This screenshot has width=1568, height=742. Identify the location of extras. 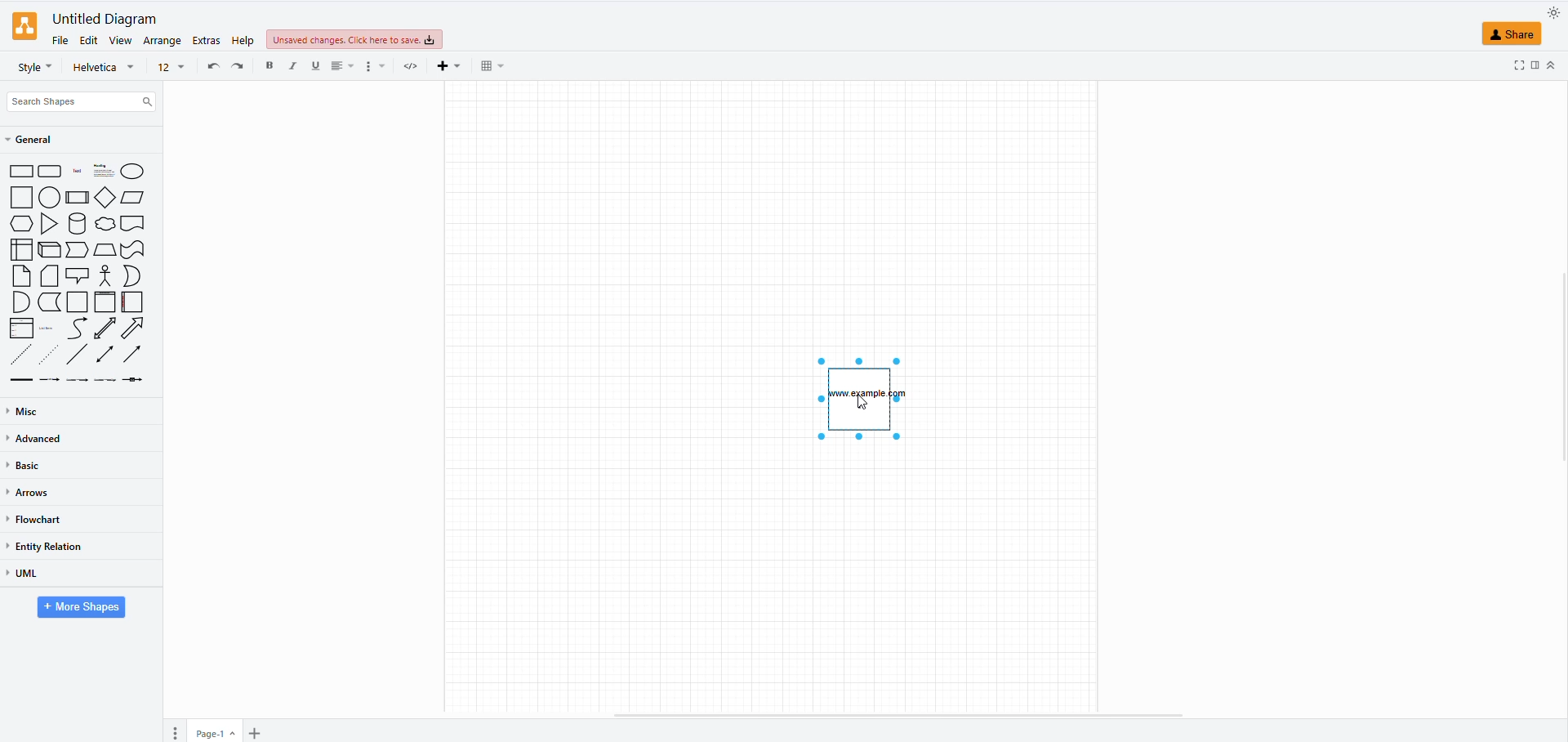
(204, 40).